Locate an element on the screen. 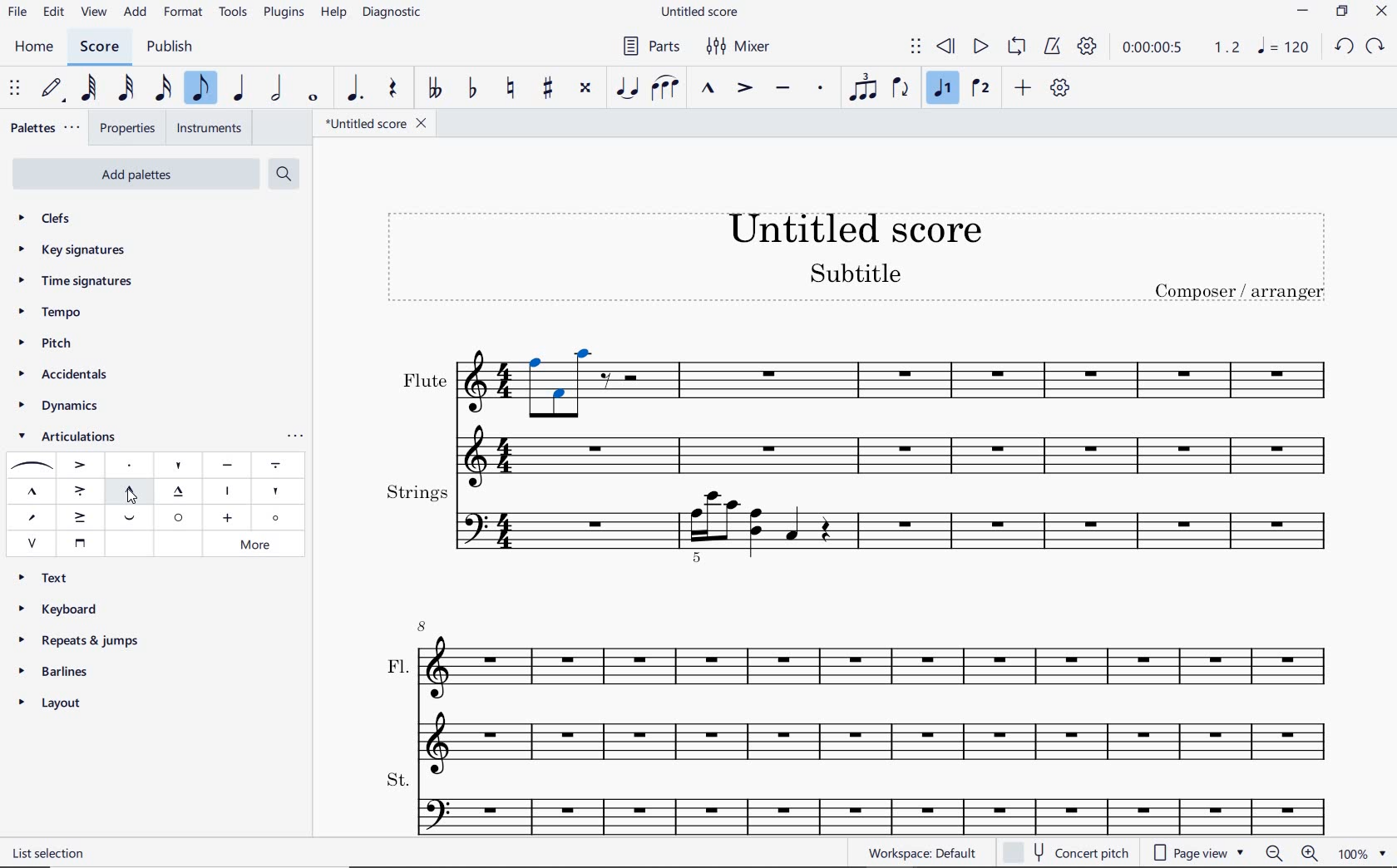 This screenshot has width=1397, height=868. TENUTO is located at coordinates (783, 89).